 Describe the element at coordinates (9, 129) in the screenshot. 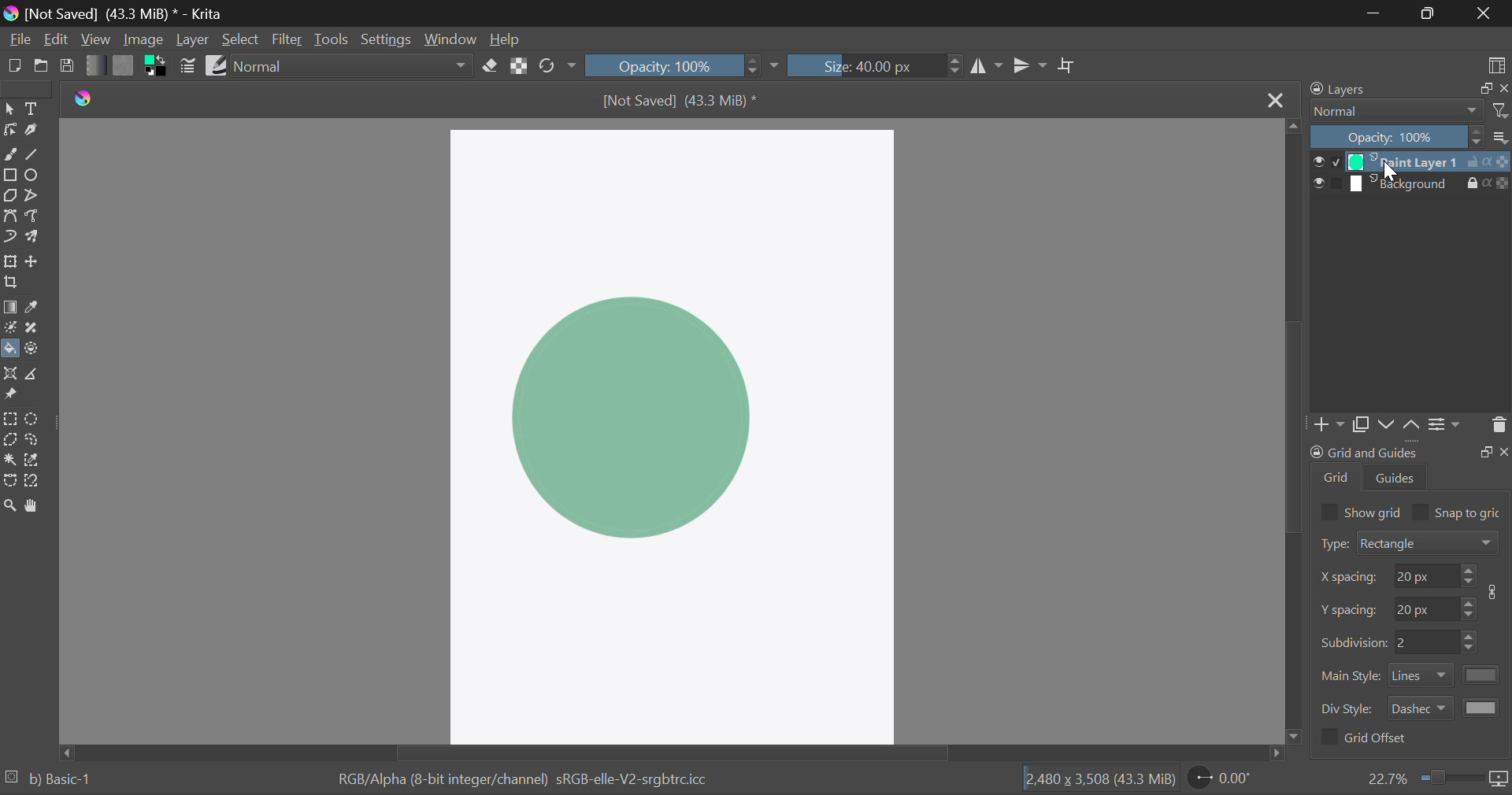

I see `Edit Shapes` at that location.